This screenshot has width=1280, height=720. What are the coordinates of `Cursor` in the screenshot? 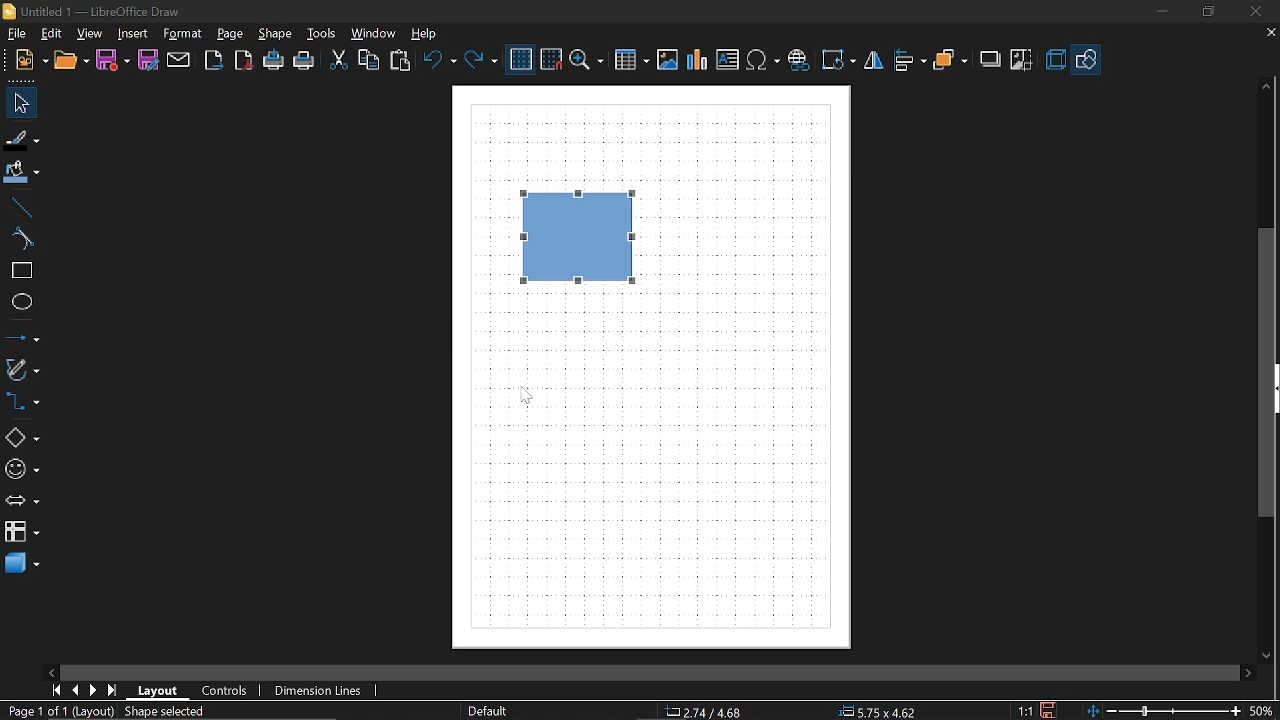 It's located at (531, 395).